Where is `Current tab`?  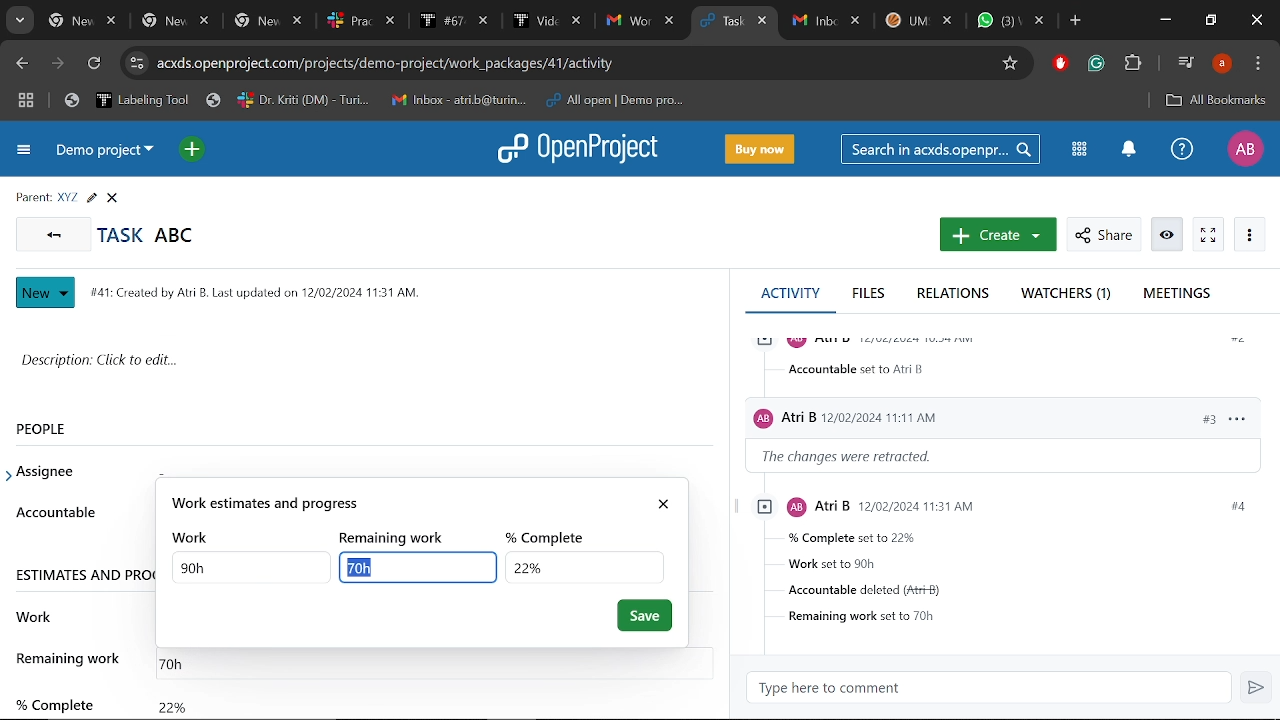 Current tab is located at coordinates (718, 22).